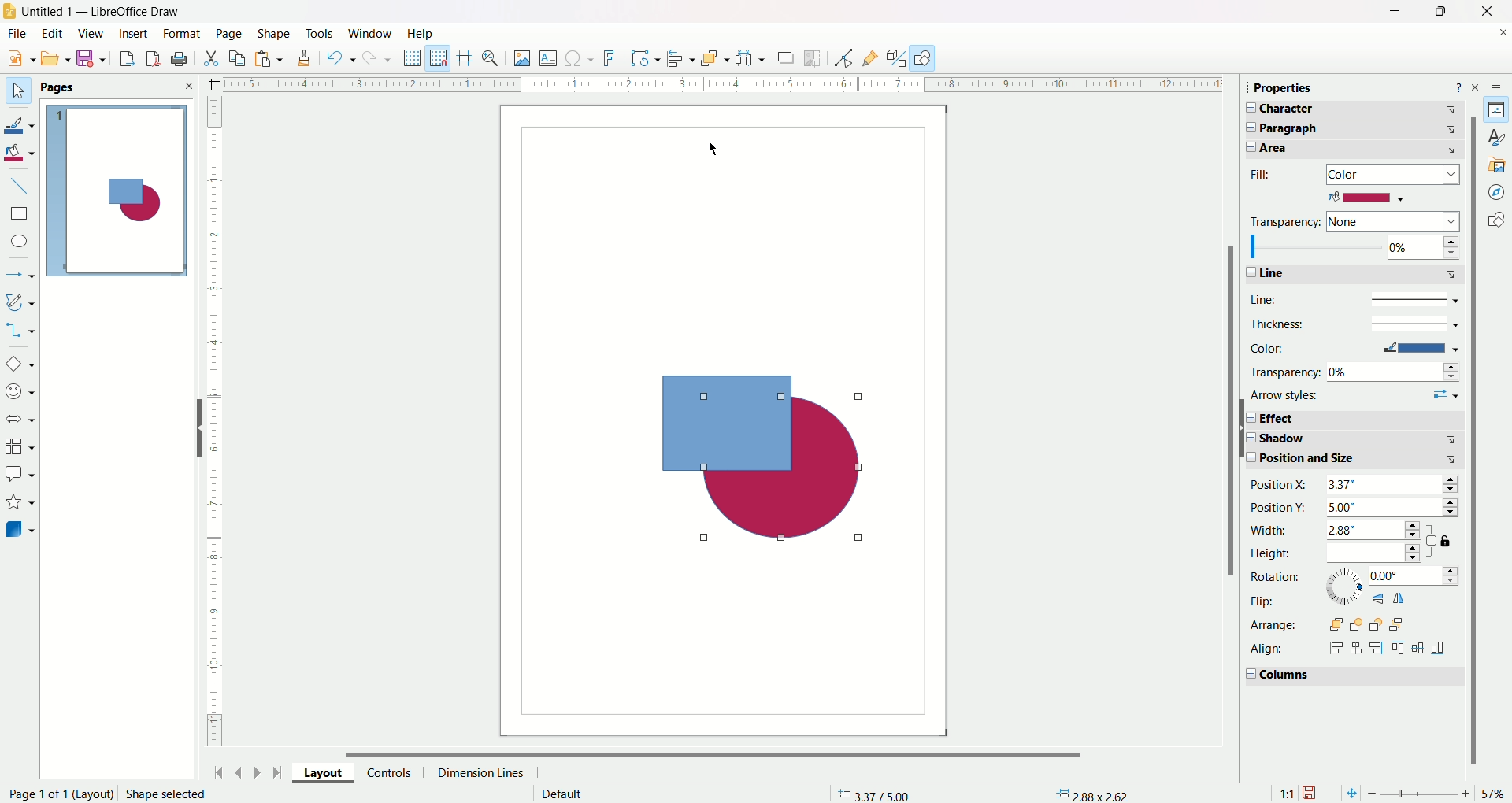 The width and height of the screenshot is (1512, 803). I want to click on draw function, so click(925, 57).